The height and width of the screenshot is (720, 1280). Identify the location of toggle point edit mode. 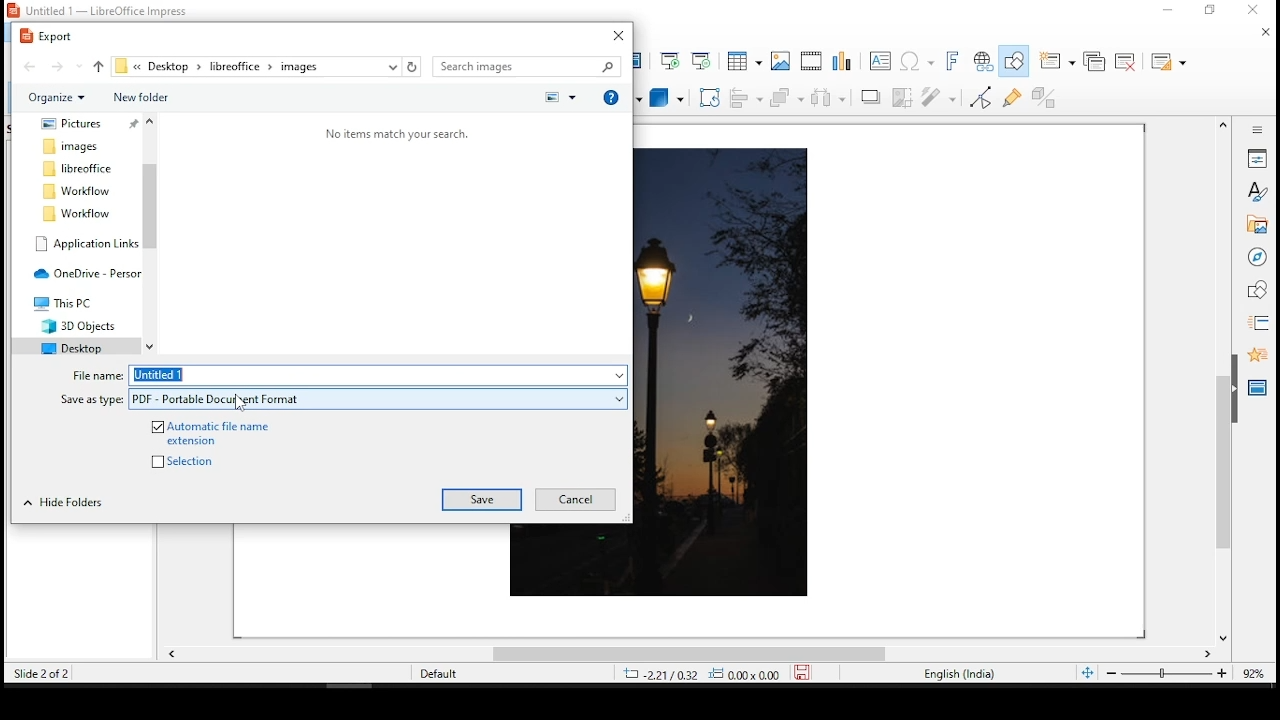
(981, 100).